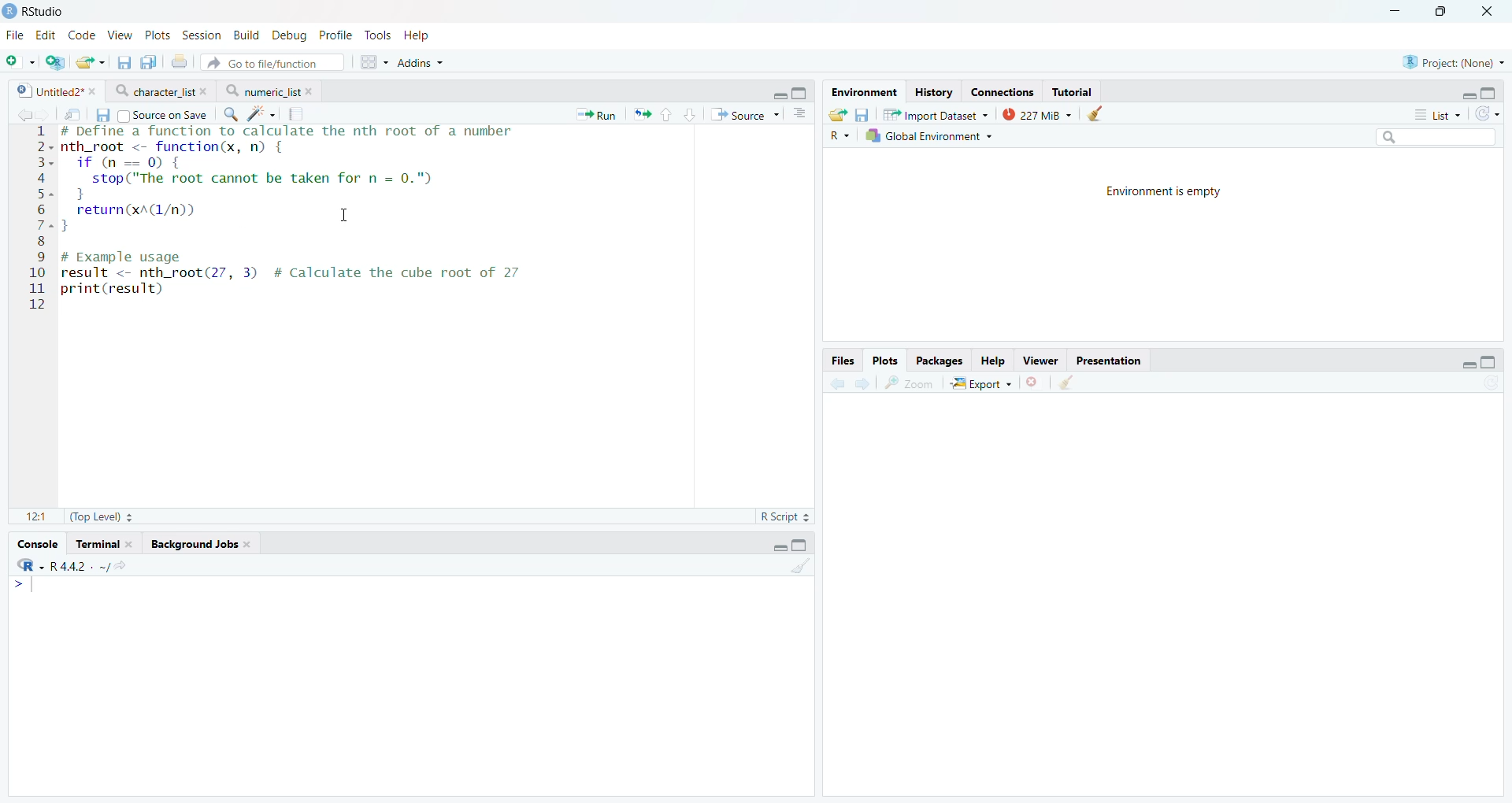 Image resolution: width=1512 pixels, height=803 pixels. What do you see at coordinates (202, 542) in the screenshot?
I see `Background Jobs` at bounding box center [202, 542].